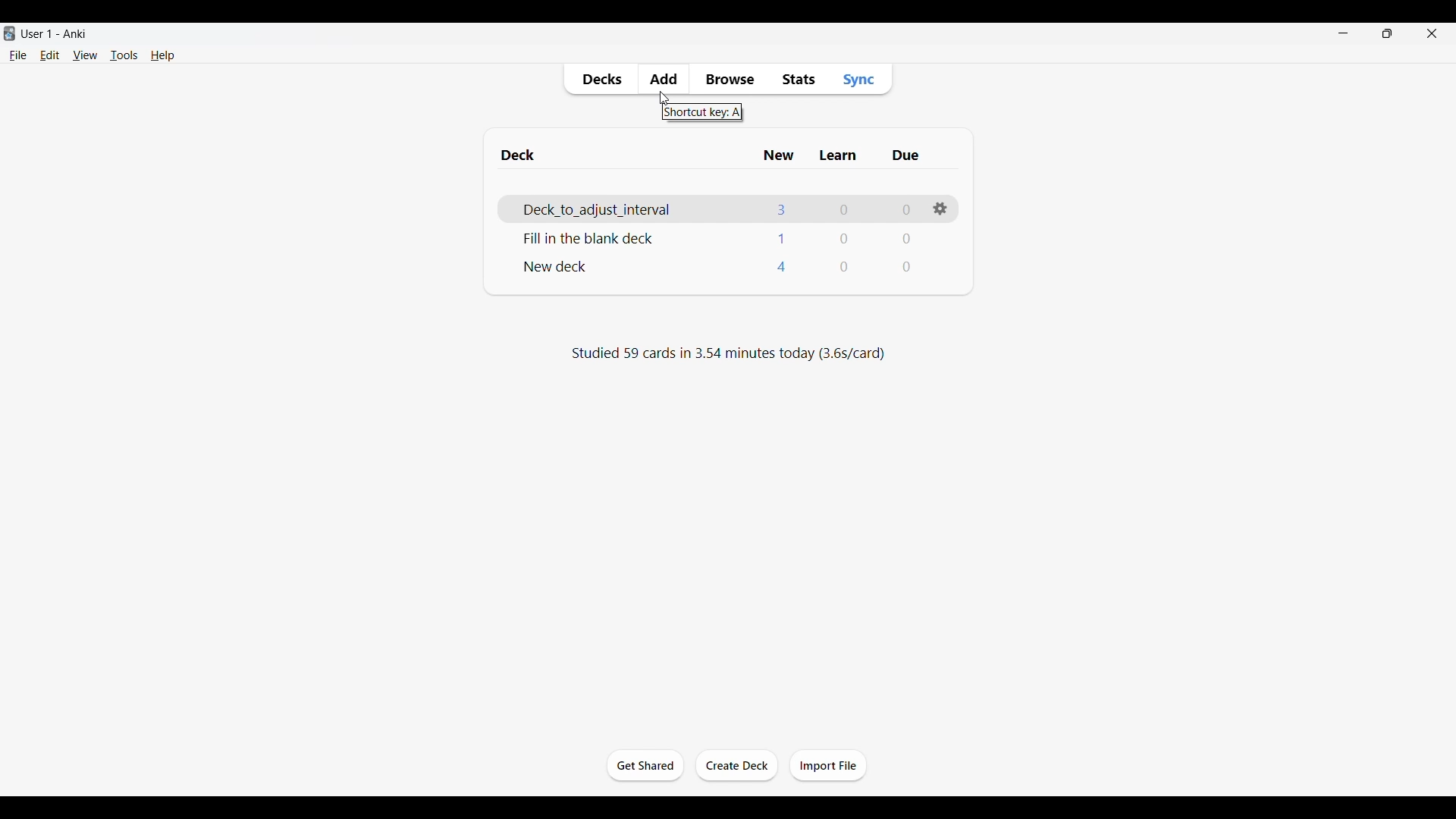 Image resolution: width=1456 pixels, height=819 pixels. What do you see at coordinates (163, 55) in the screenshot?
I see `Help menu` at bounding box center [163, 55].